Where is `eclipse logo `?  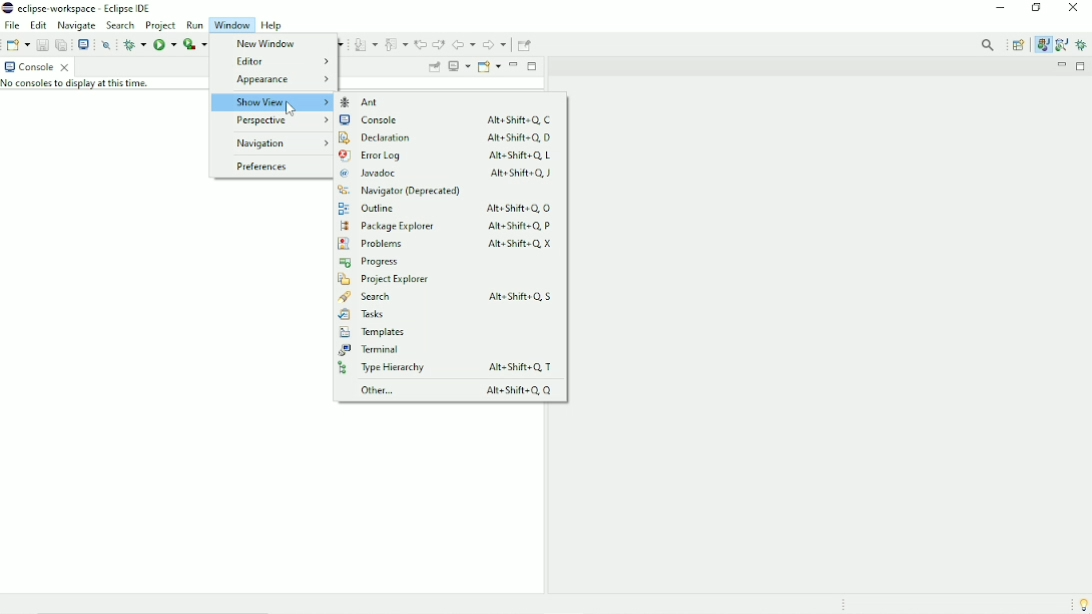
eclipse logo  is located at coordinates (7, 8).